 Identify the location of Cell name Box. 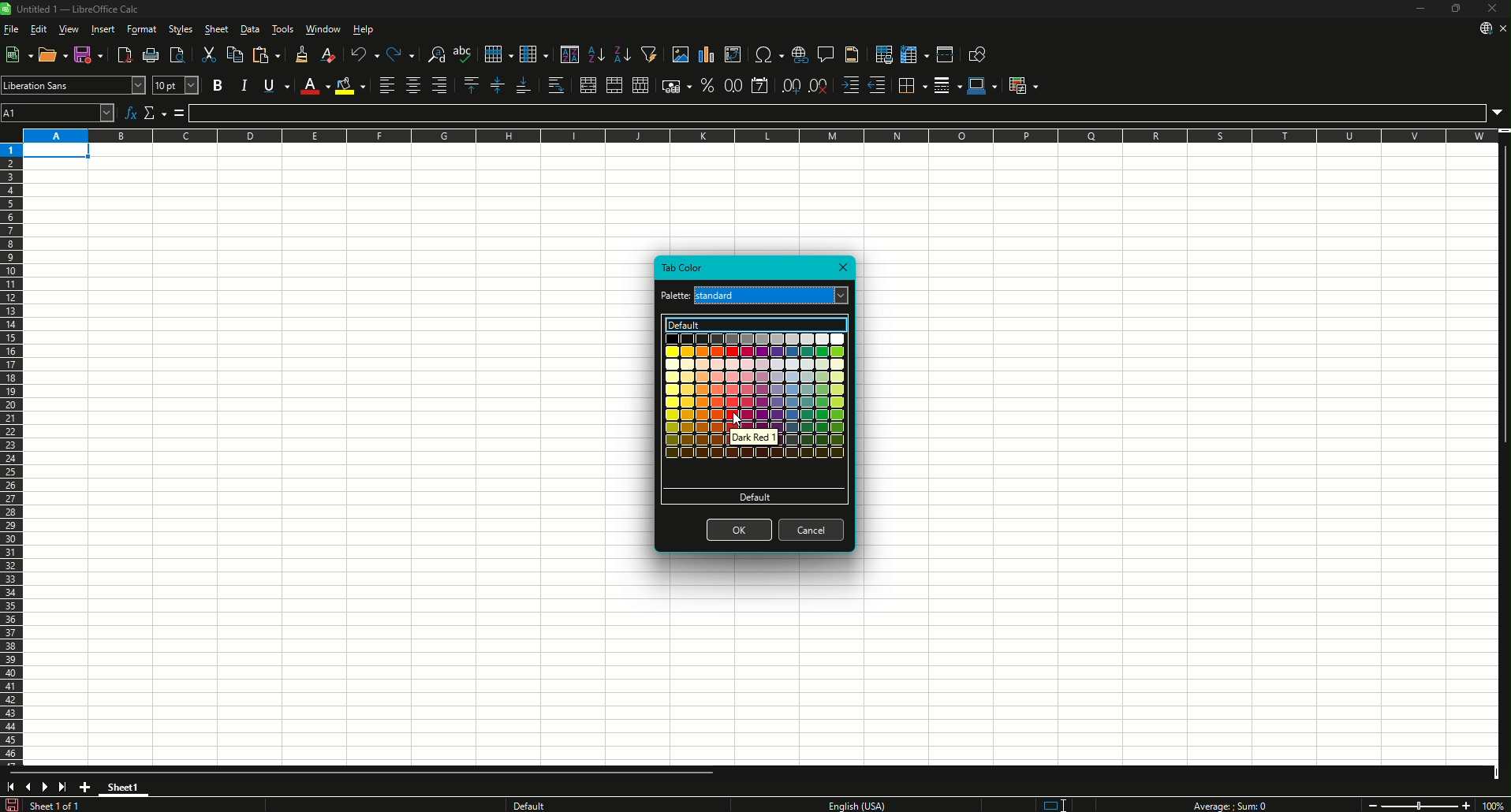
(58, 113).